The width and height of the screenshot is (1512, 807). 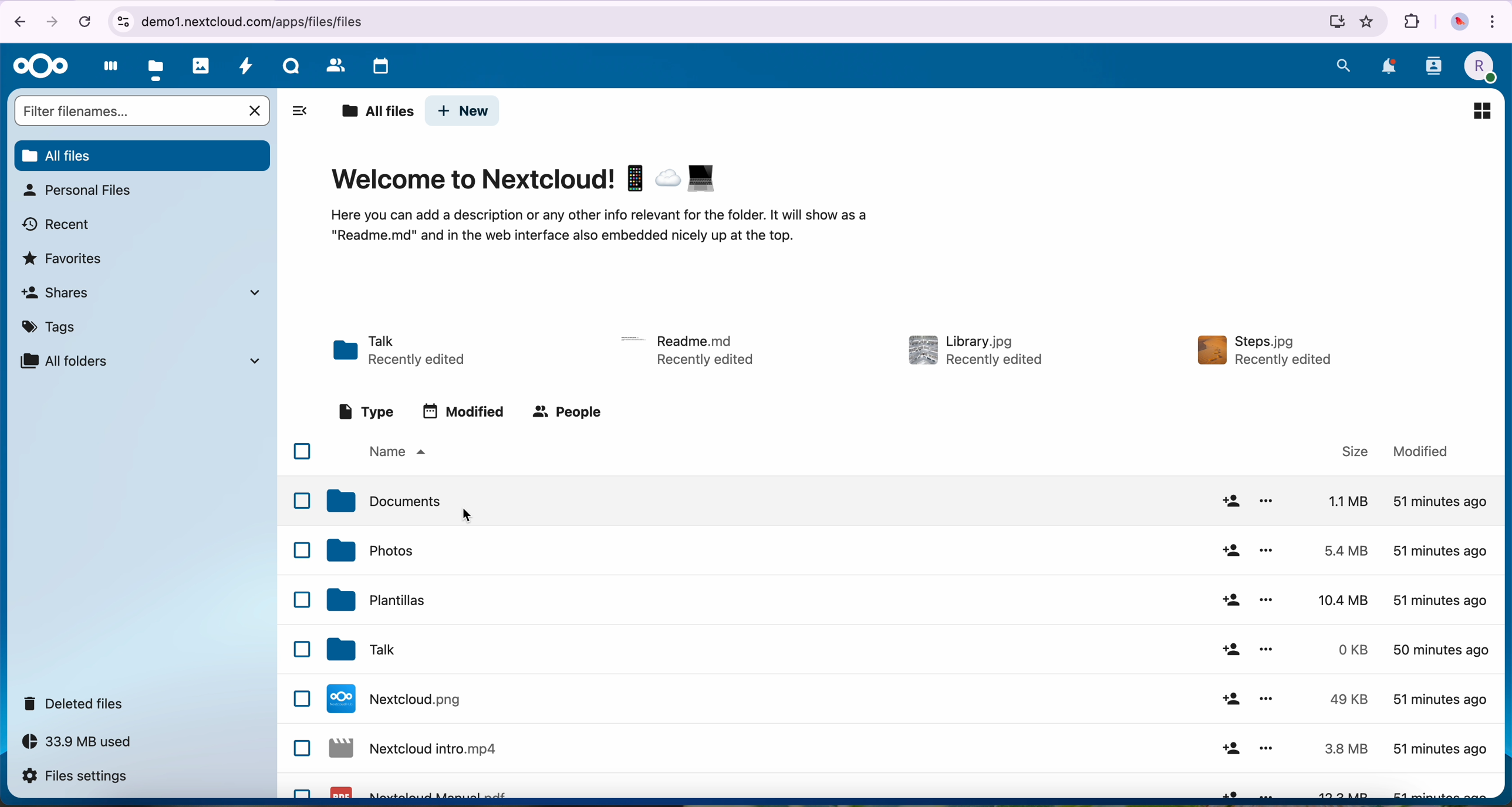 What do you see at coordinates (694, 351) in the screenshot?
I see `readme.md - recently edited` at bounding box center [694, 351].